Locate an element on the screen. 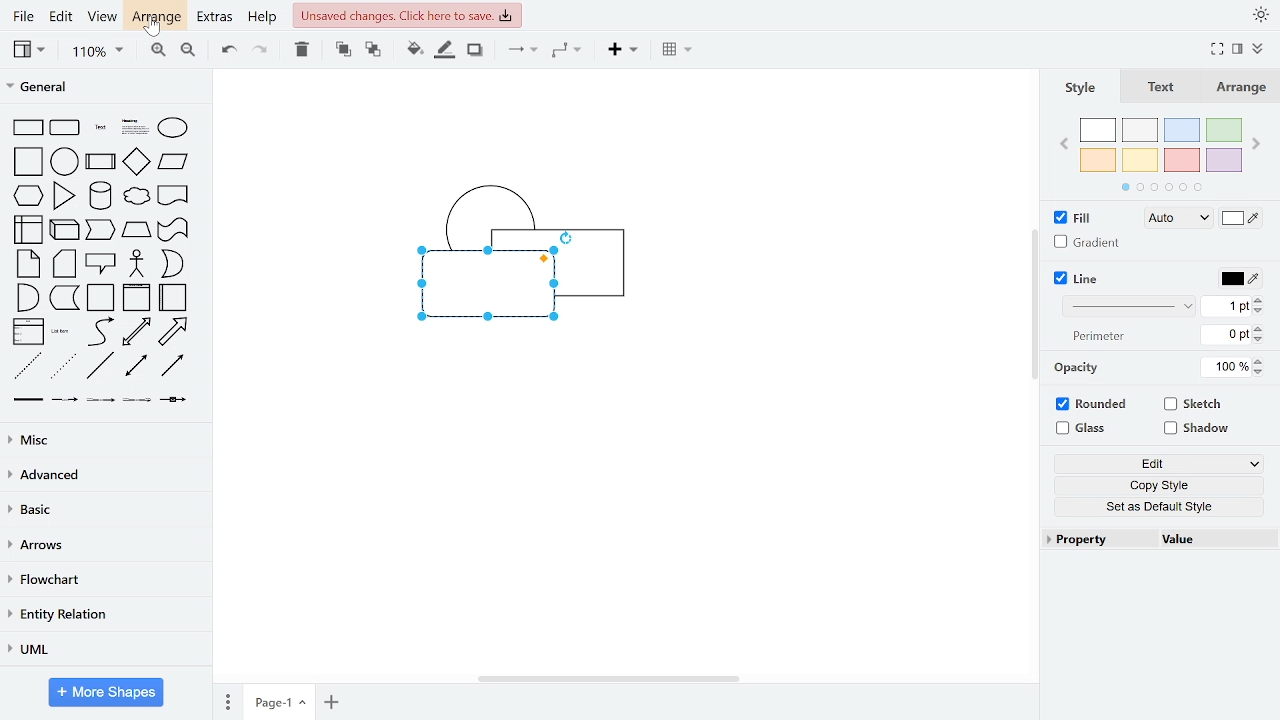 Image resolution: width=1280 pixels, height=720 pixels. process is located at coordinates (100, 163).